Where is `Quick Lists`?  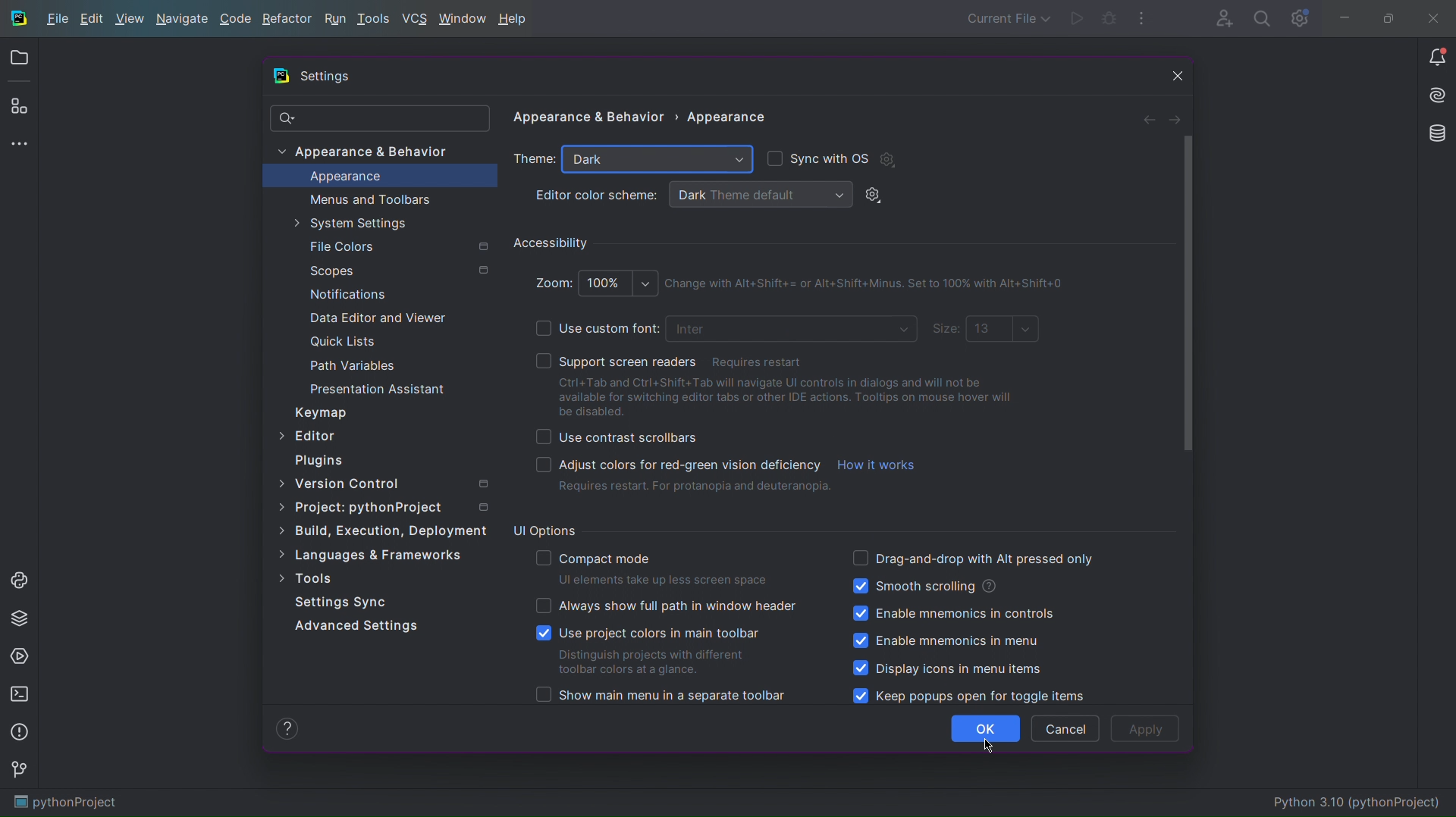
Quick Lists is located at coordinates (354, 343).